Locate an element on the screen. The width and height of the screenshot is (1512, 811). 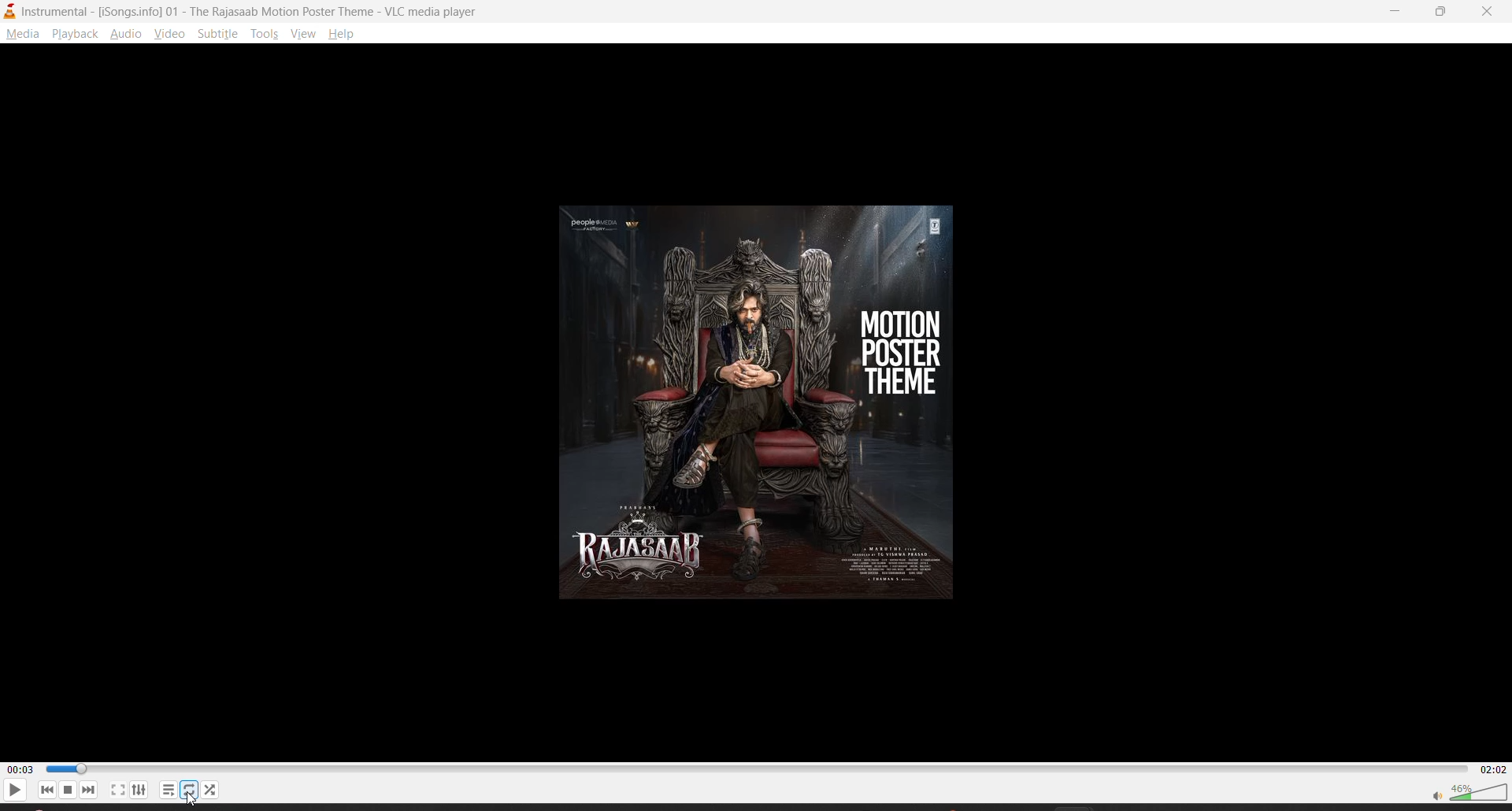
subtitle is located at coordinates (220, 35).